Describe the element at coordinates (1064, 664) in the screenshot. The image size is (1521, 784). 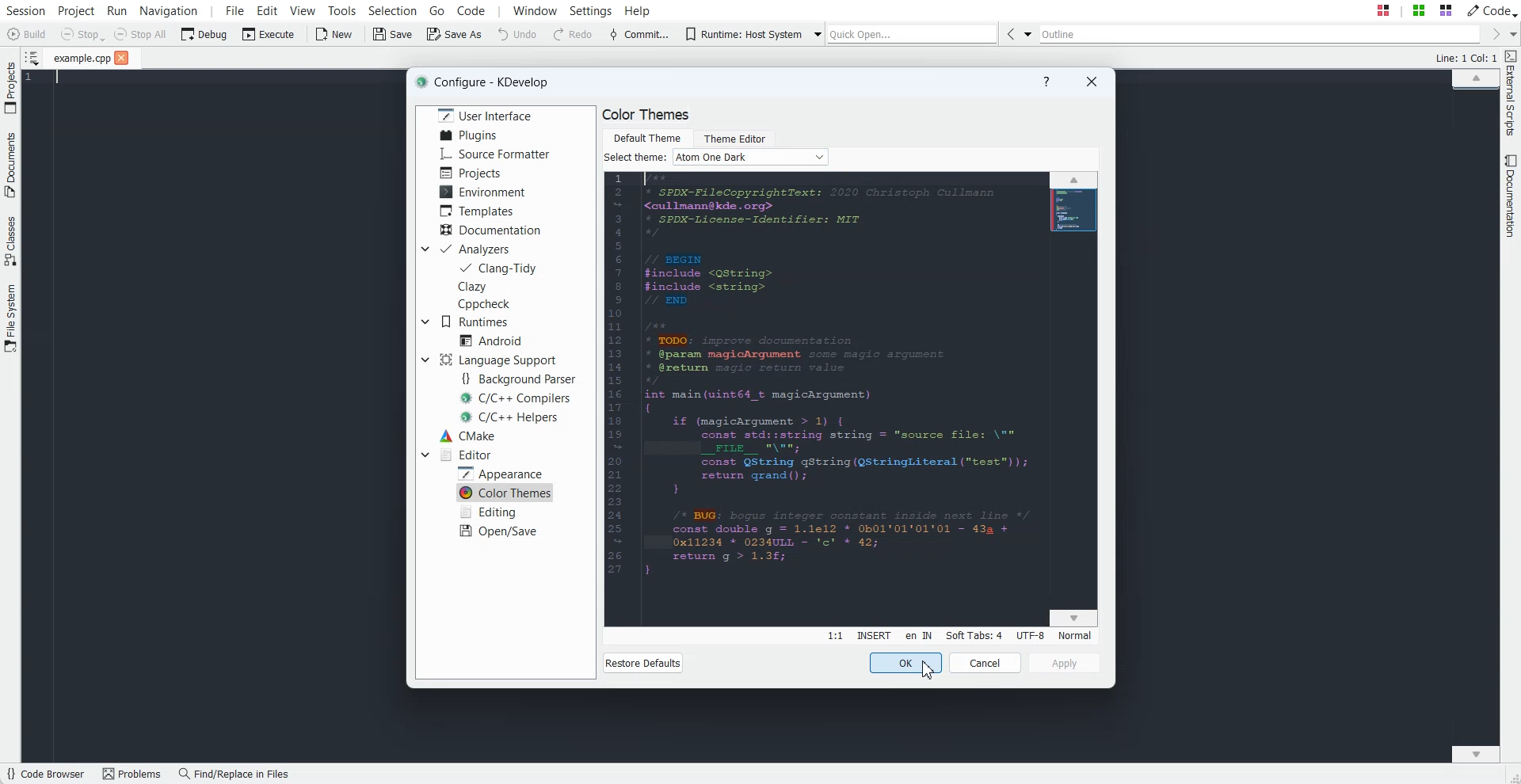
I see `Apply` at that location.